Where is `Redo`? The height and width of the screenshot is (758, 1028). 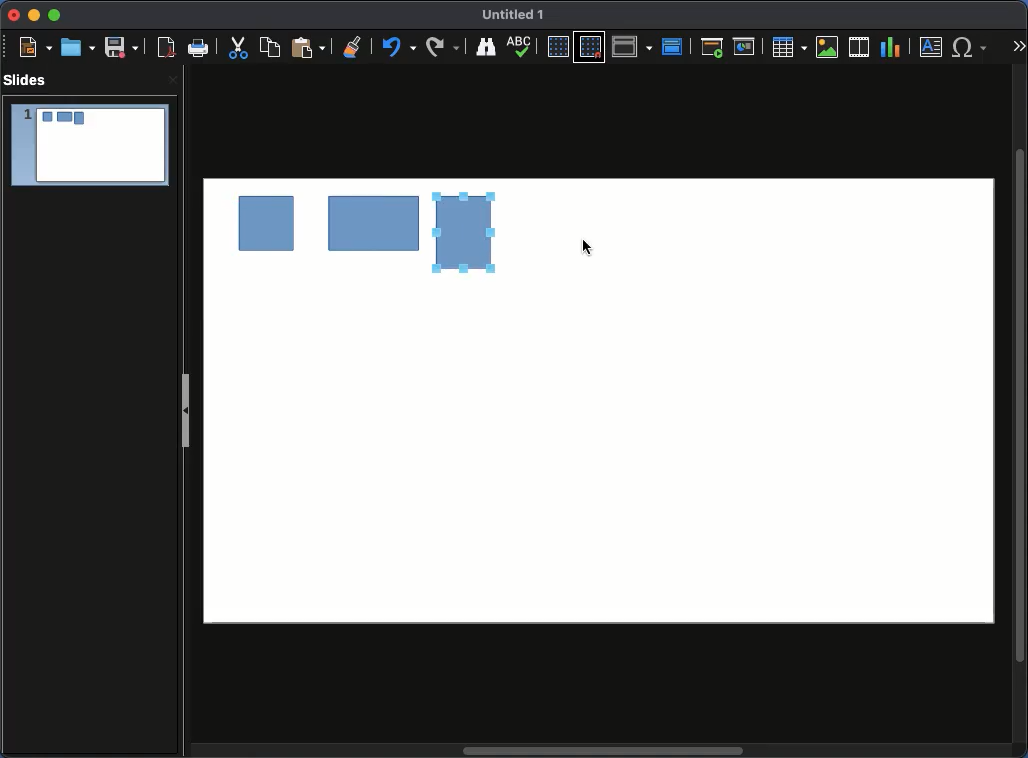 Redo is located at coordinates (396, 47).